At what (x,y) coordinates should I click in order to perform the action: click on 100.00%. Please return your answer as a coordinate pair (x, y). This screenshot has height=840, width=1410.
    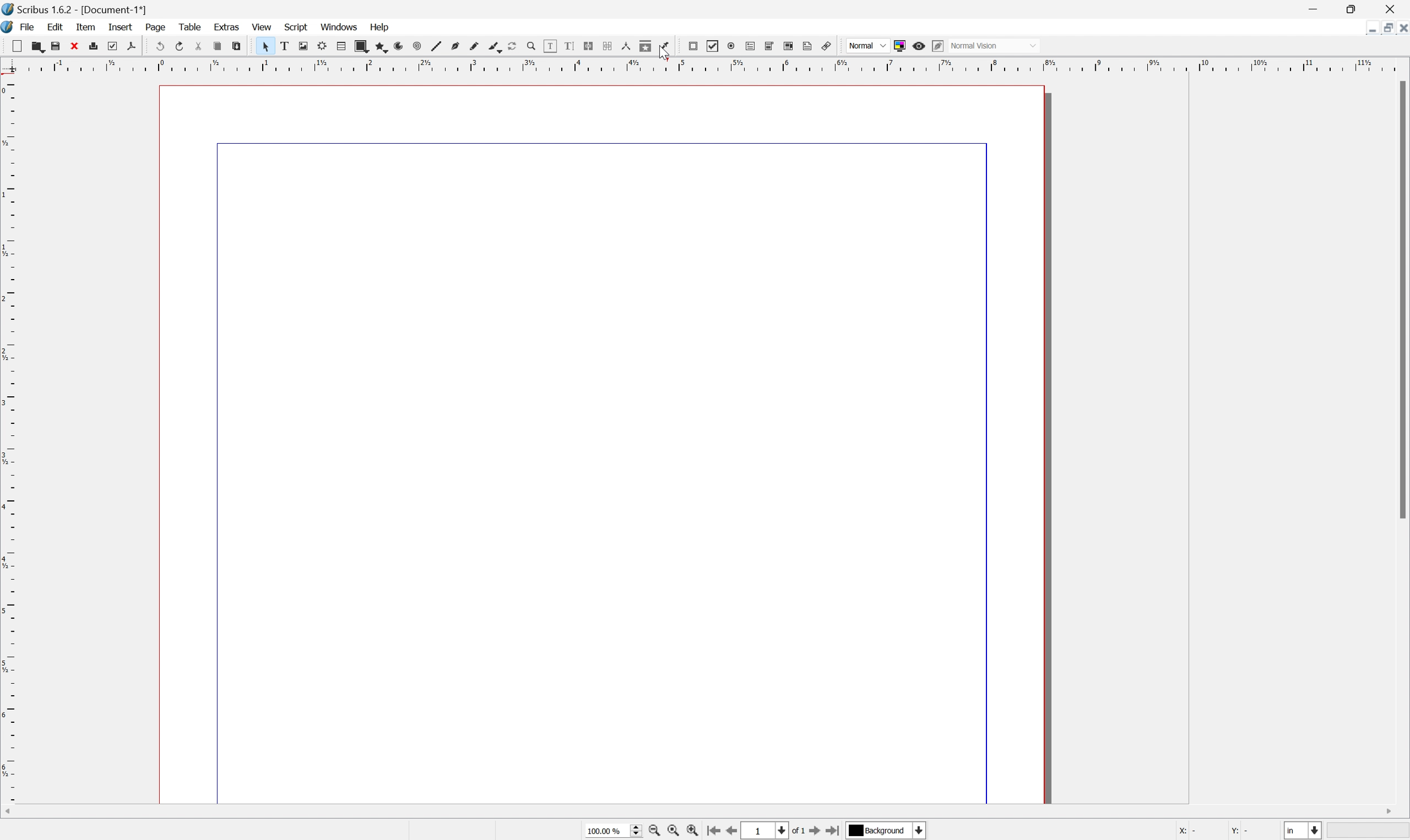
    Looking at the image, I should click on (615, 831).